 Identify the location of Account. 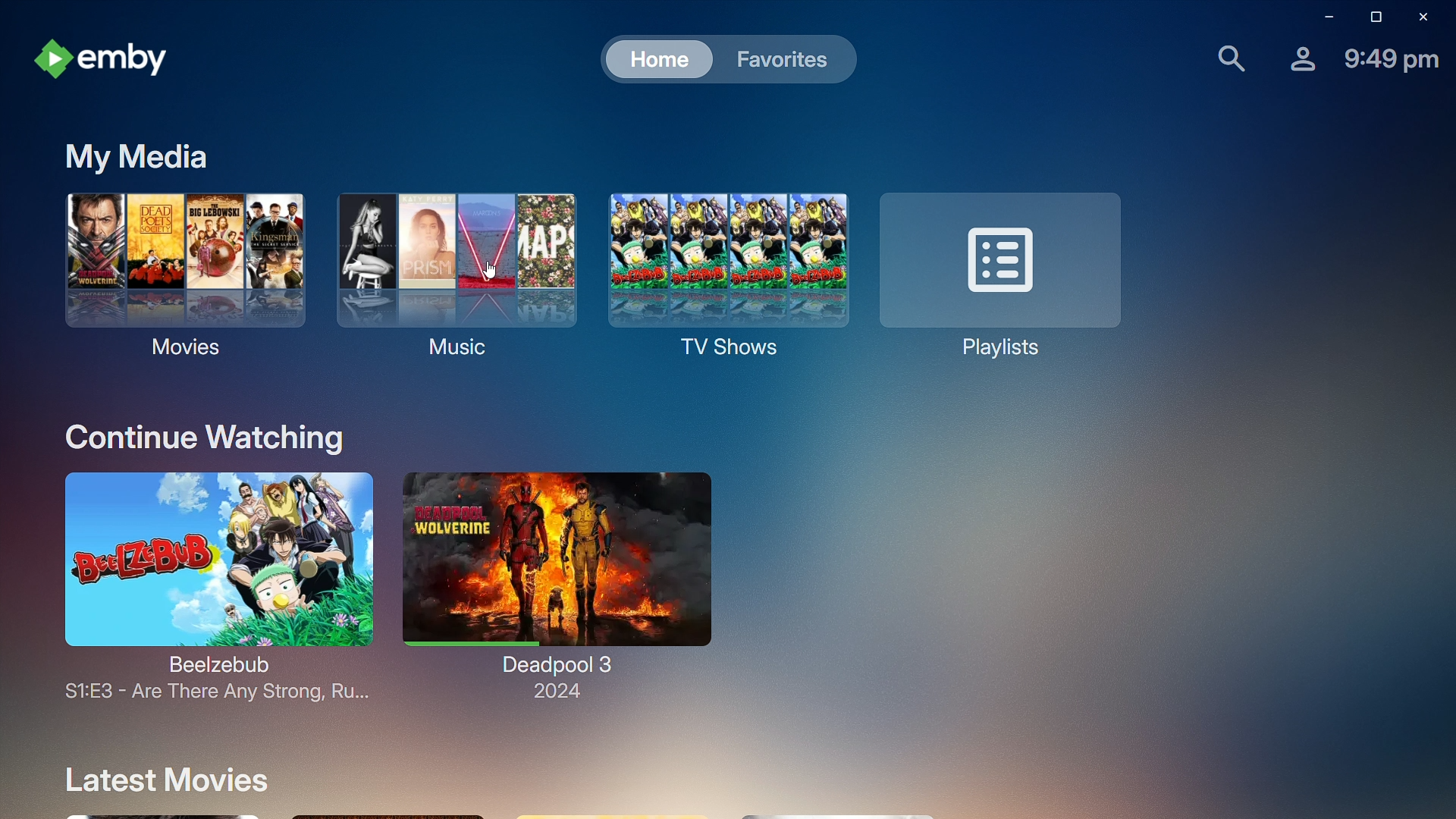
(1293, 56).